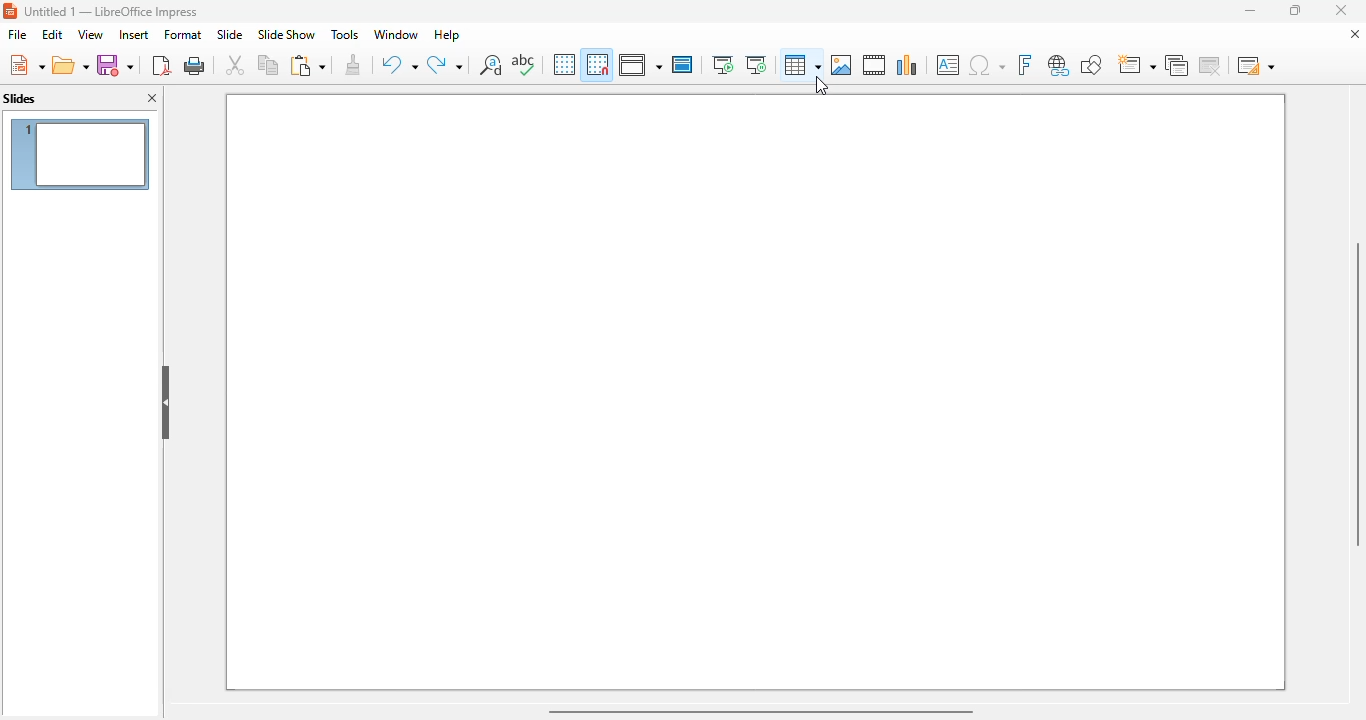 The image size is (1366, 720). Describe the element at coordinates (236, 65) in the screenshot. I see `cut` at that location.